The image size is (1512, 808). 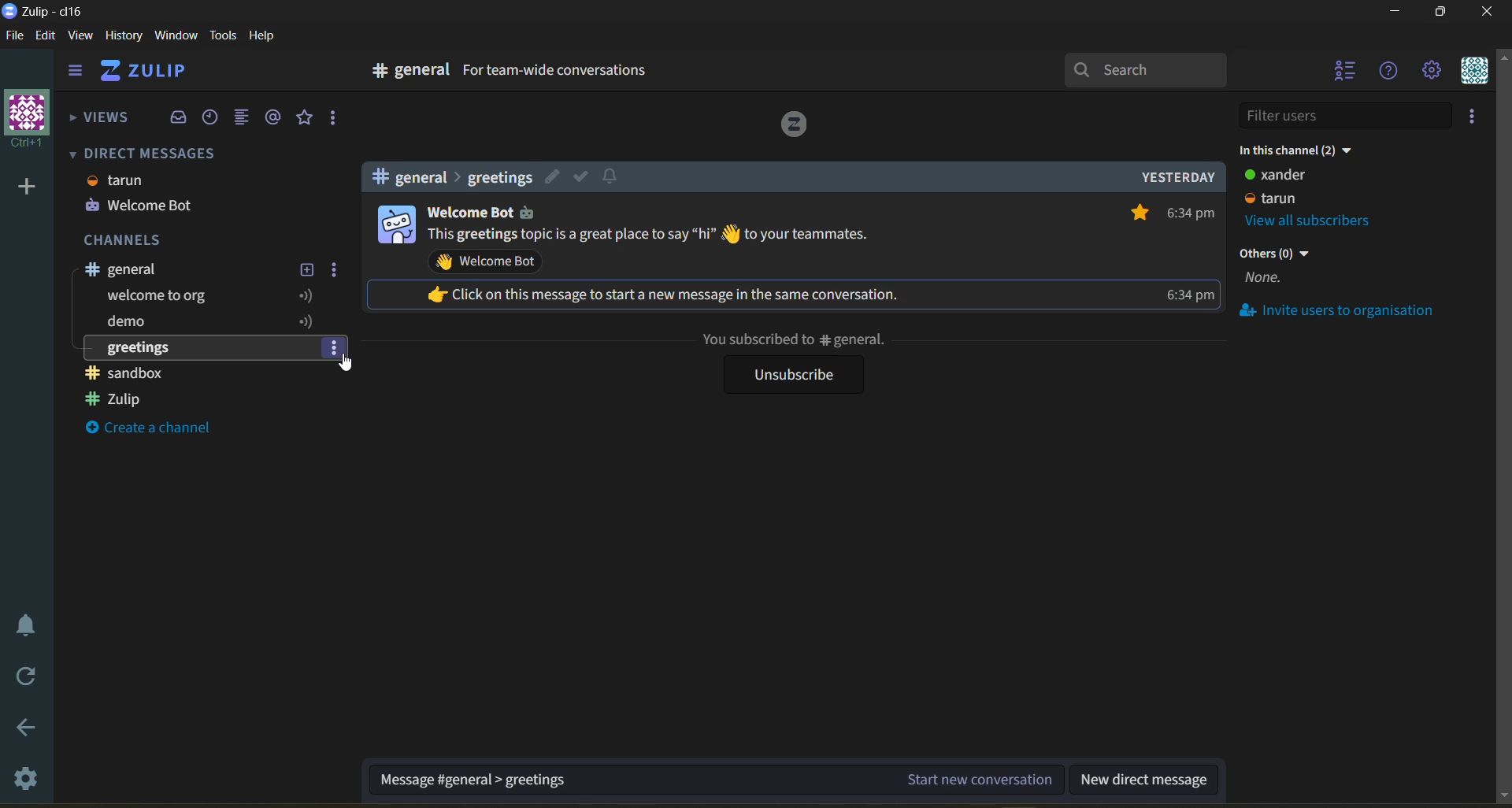 What do you see at coordinates (1300, 153) in the screenshot?
I see `in this channel` at bounding box center [1300, 153].